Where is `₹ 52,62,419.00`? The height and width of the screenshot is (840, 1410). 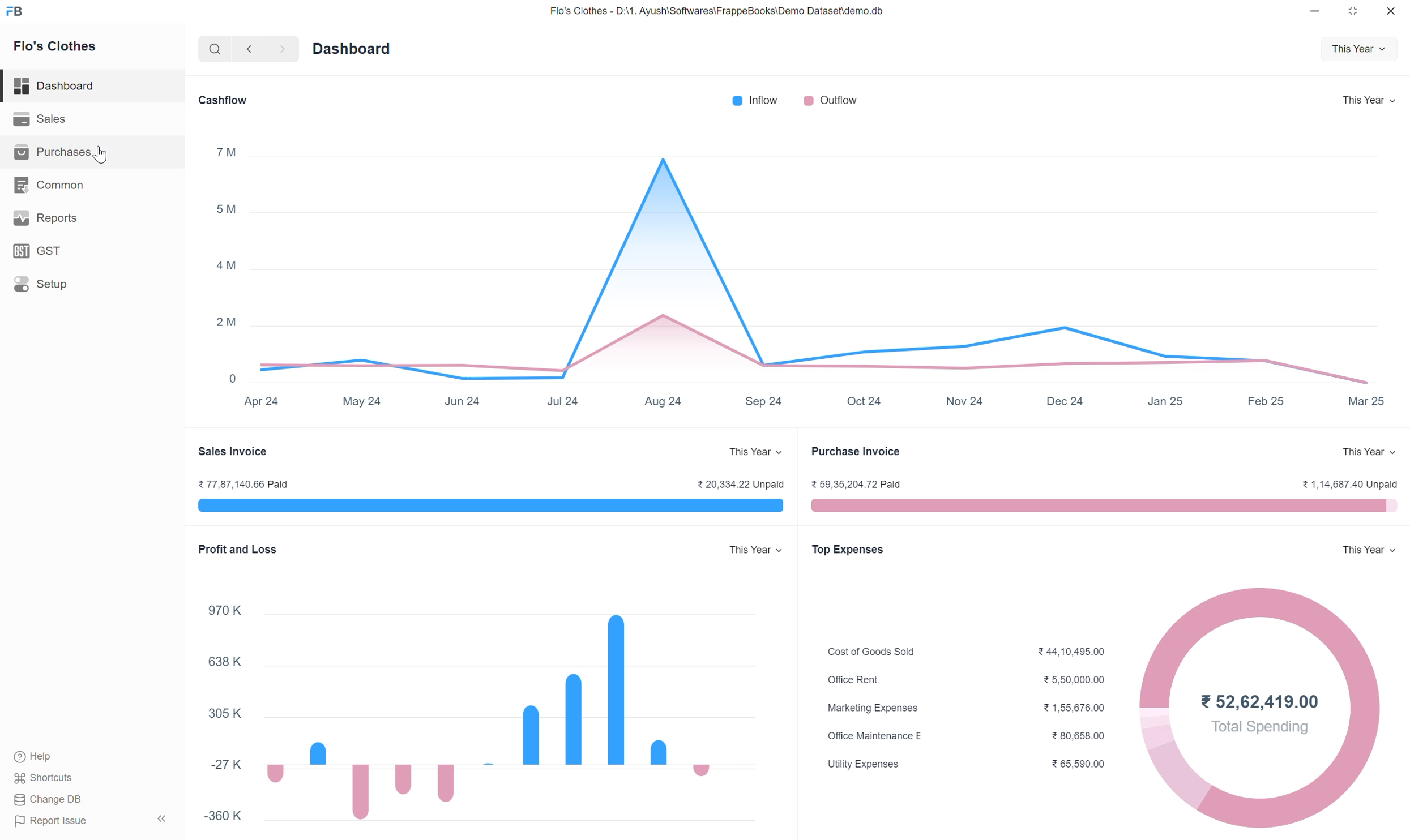 ₹ 52,62,419.00 is located at coordinates (1262, 703).